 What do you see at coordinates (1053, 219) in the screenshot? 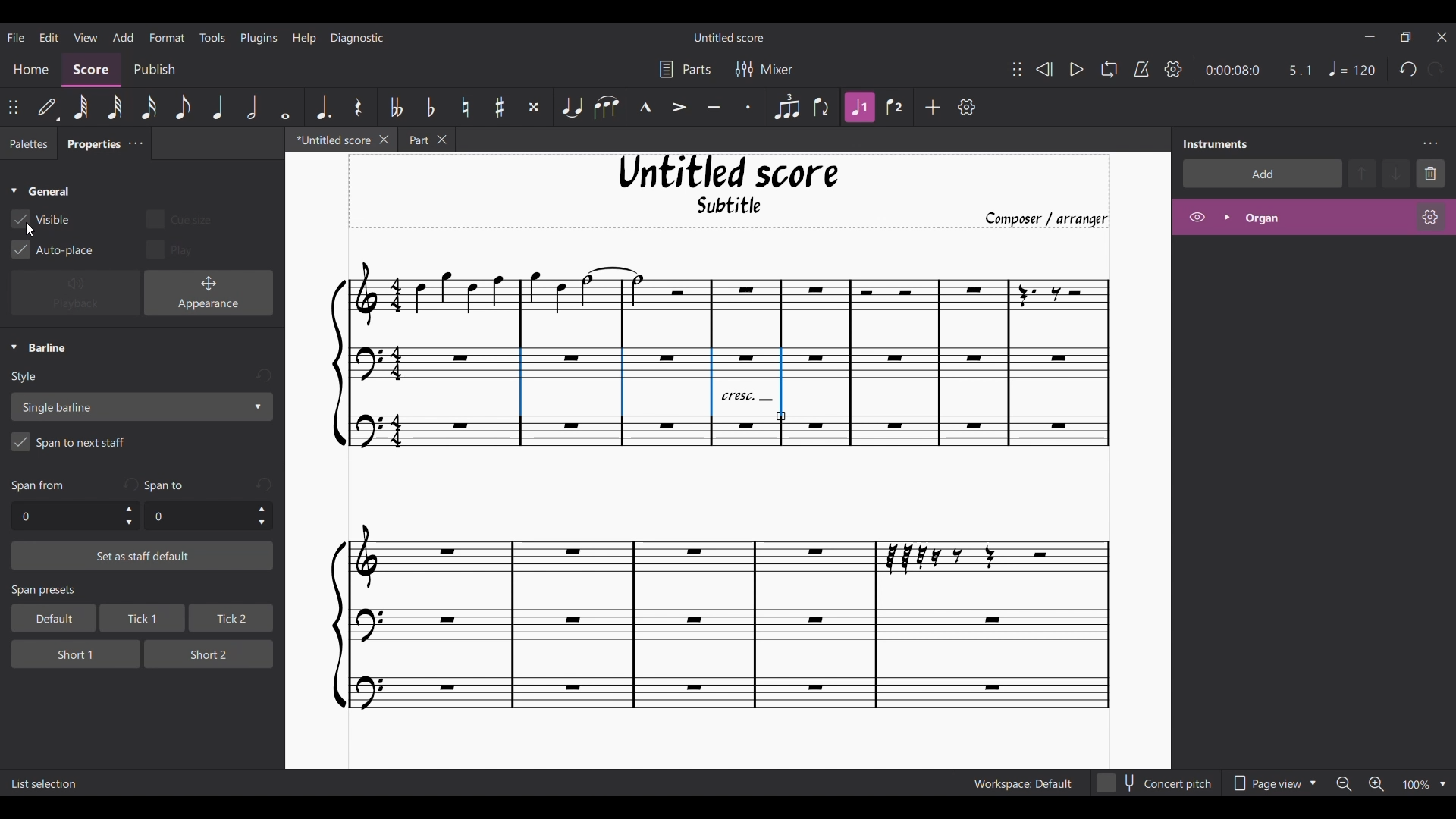
I see `Composer/arranger` at bounding box center [1053, 219].